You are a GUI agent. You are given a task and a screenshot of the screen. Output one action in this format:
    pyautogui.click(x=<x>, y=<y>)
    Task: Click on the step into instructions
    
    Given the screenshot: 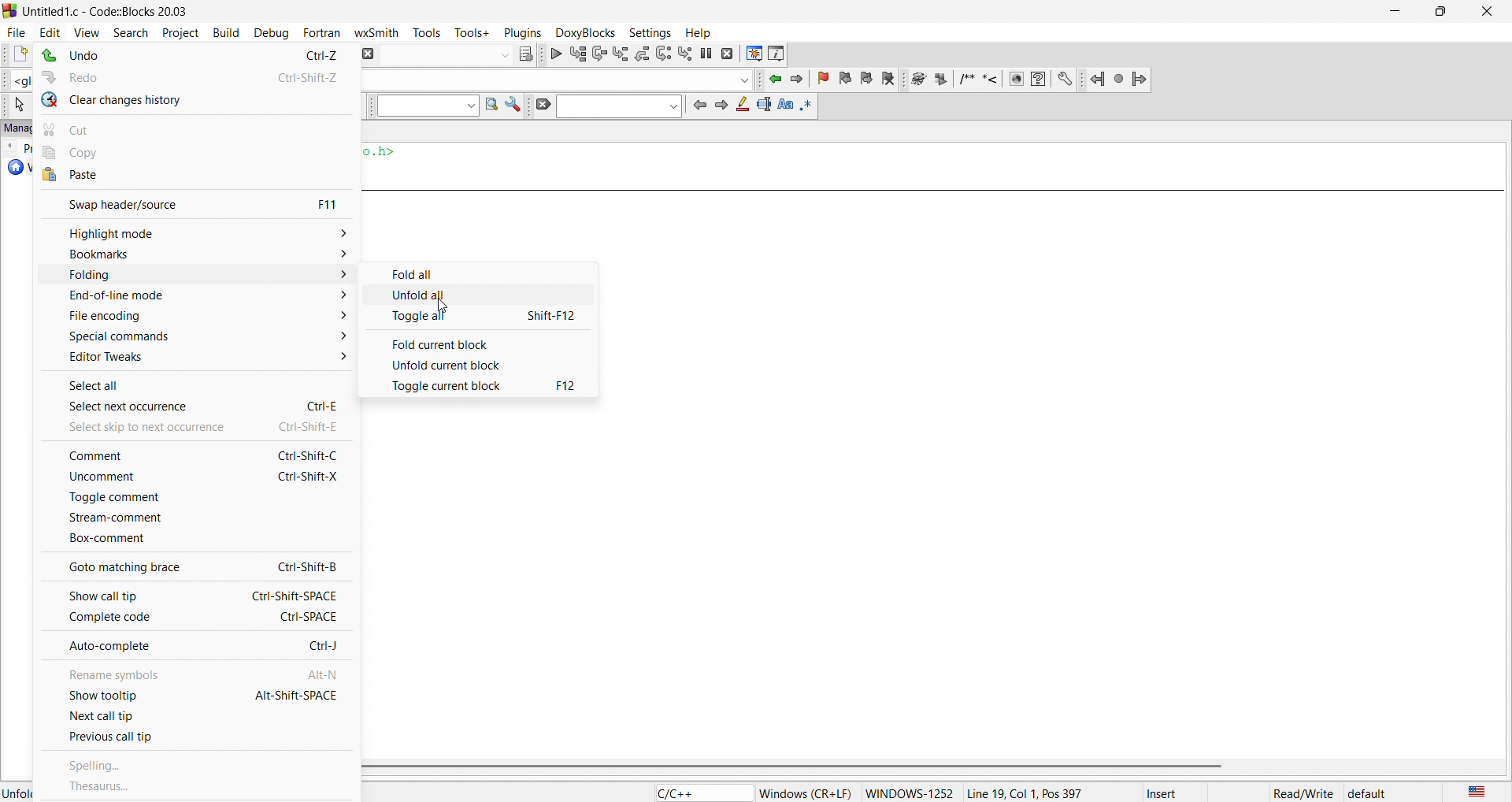 What is the action you would take?
    pyautogui.click(x=686, y=53)
    